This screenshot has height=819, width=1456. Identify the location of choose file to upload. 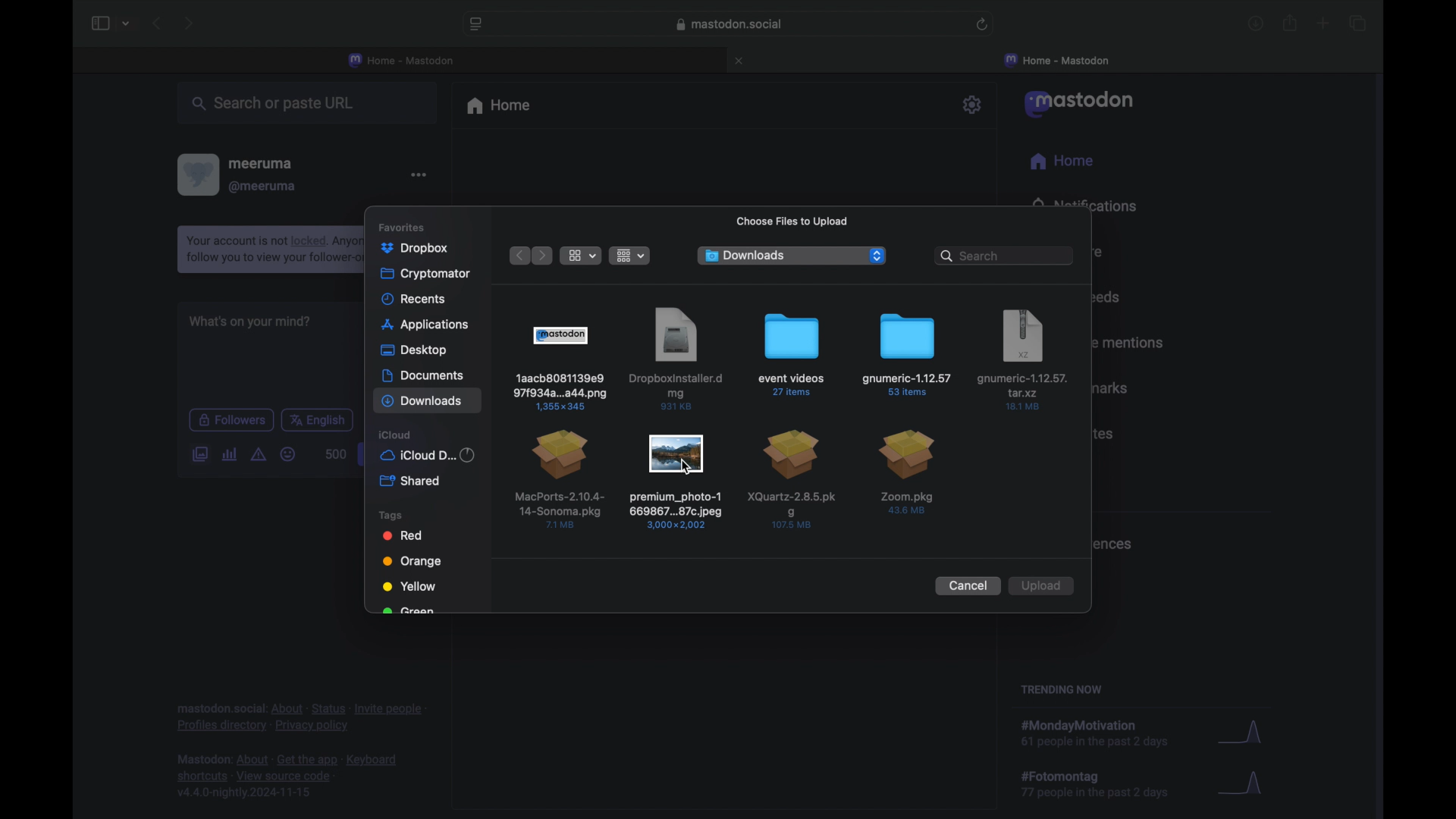
(793, 221).